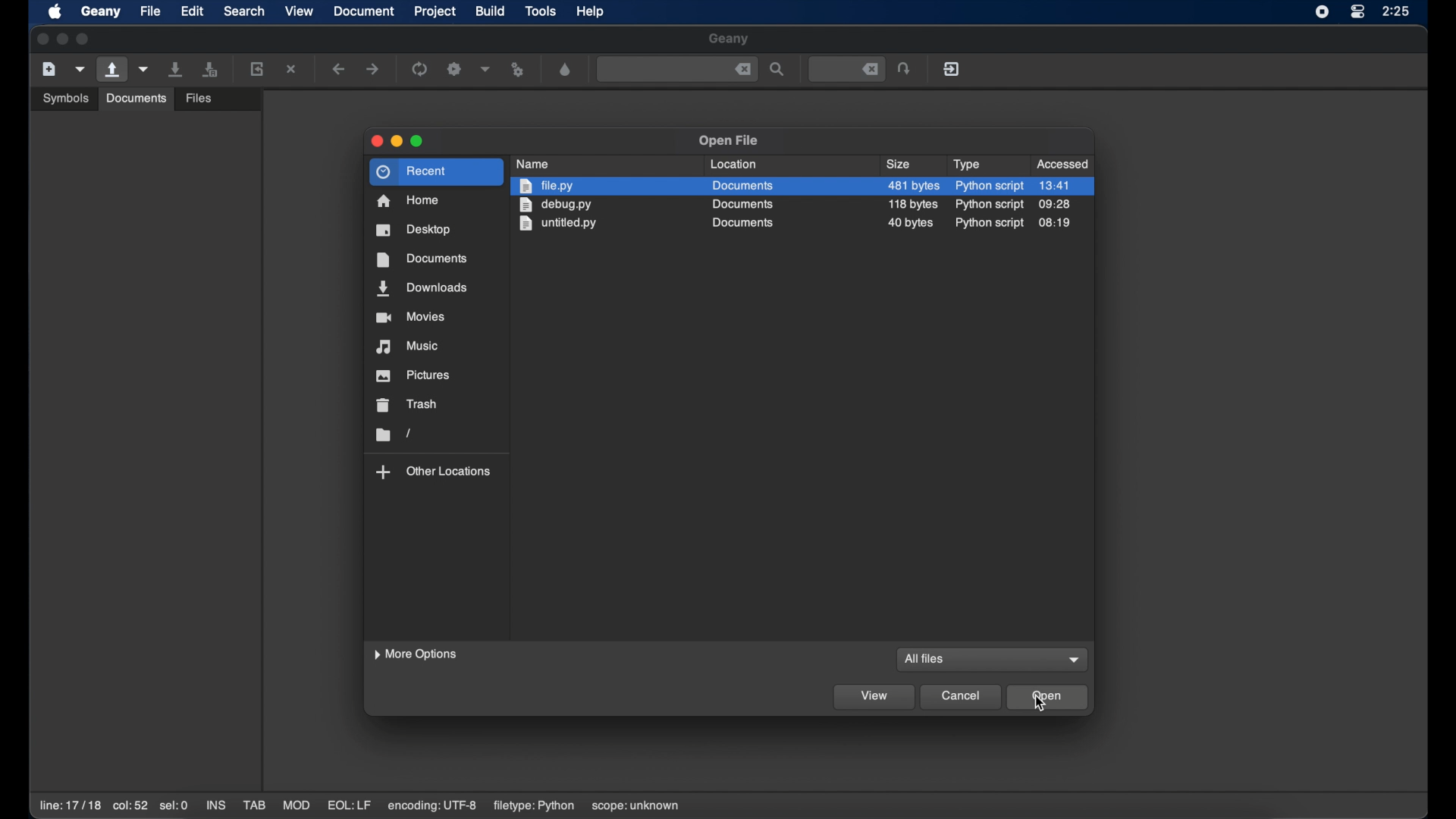 The height and width of the screenshot is (819, 1456). What do you see at coordinates (409, 405) in the screenshot?
I see `trash` at bounding box center [409, 405].